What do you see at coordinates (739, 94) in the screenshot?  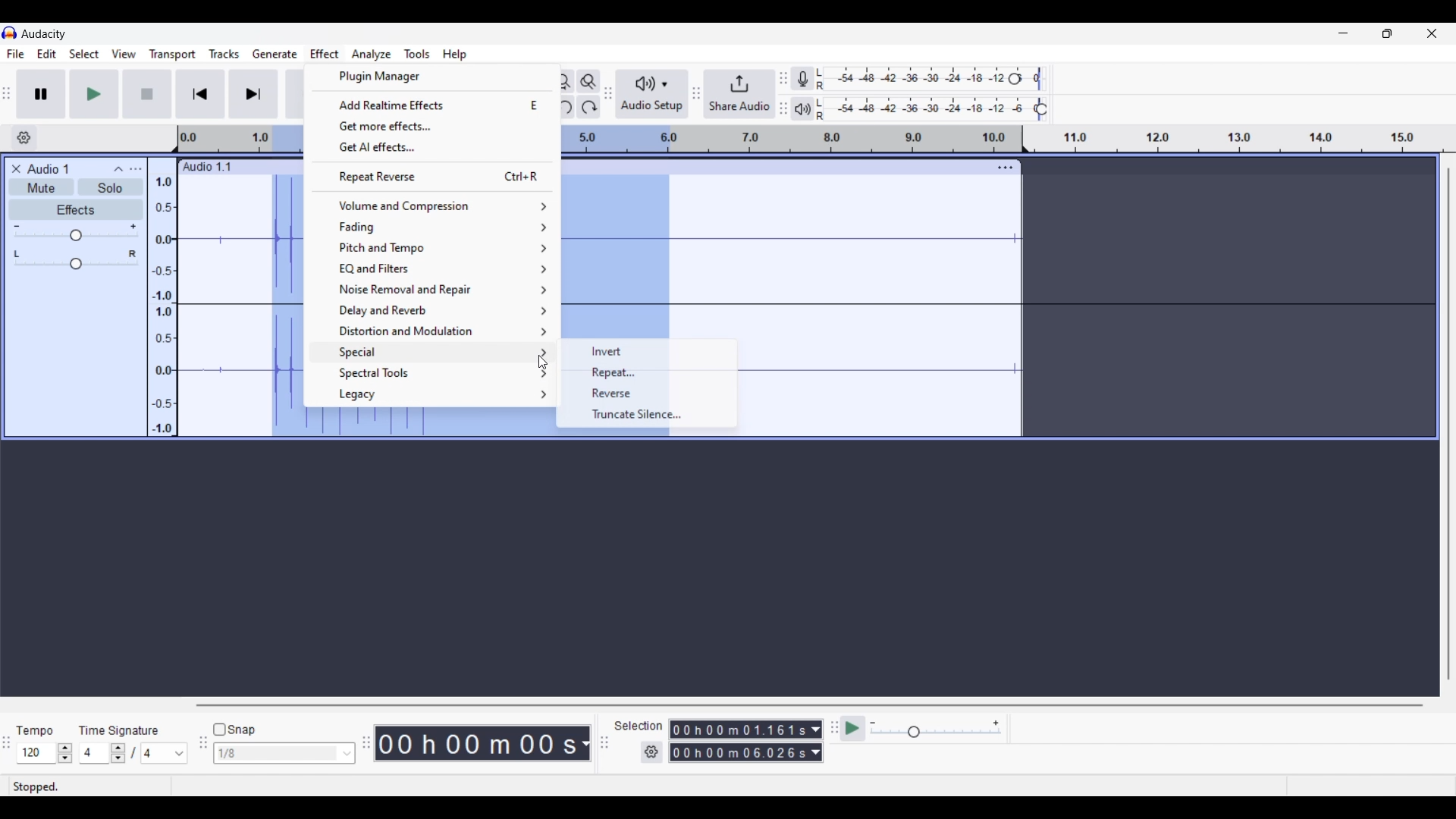 I see `Share audio` at bounding box center [739, 94].